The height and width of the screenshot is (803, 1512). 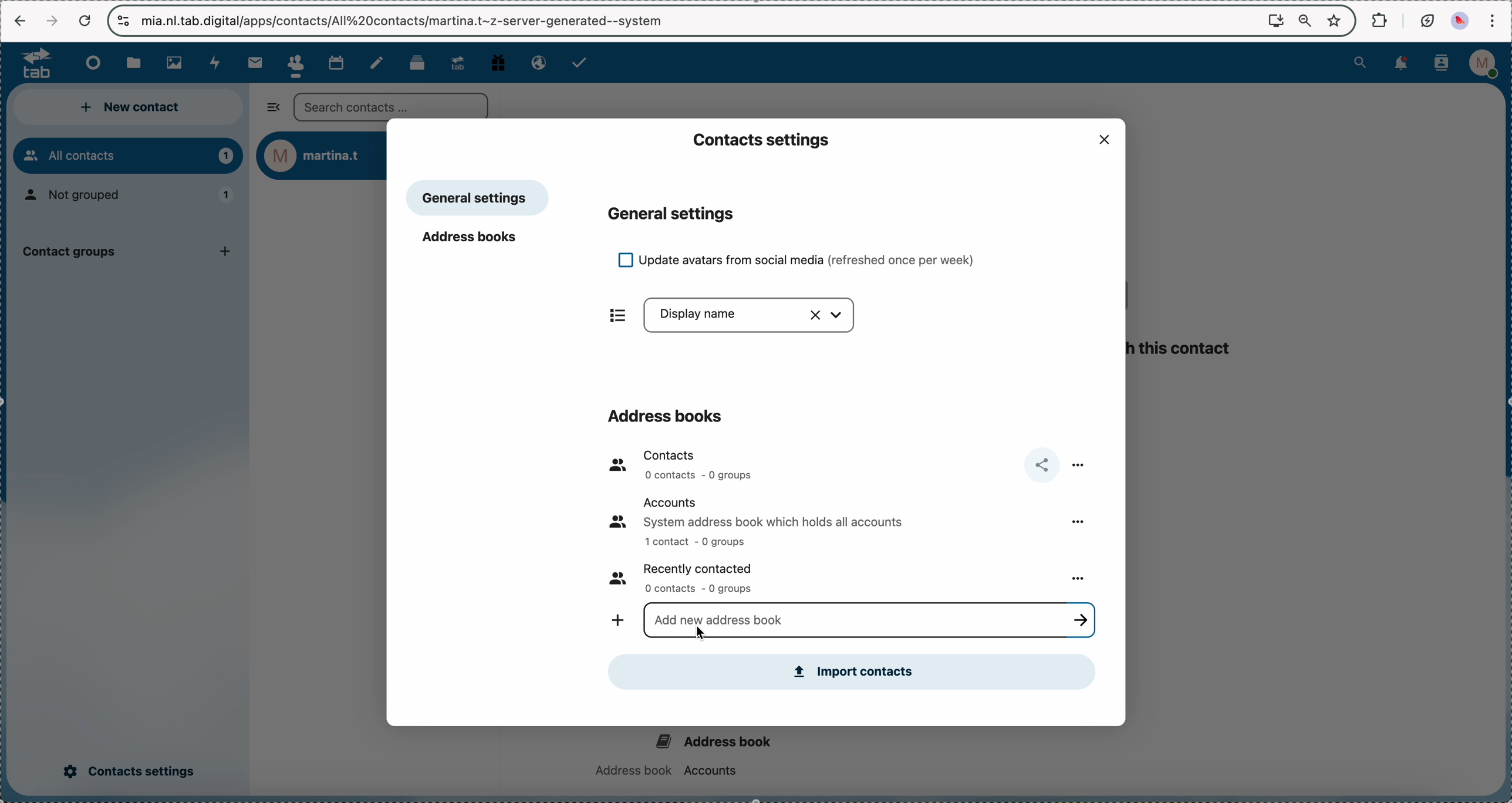 What do you see at coordinates (807, 260) in the screenshot?
I see `update avatars` at bounding box center [807, 260].